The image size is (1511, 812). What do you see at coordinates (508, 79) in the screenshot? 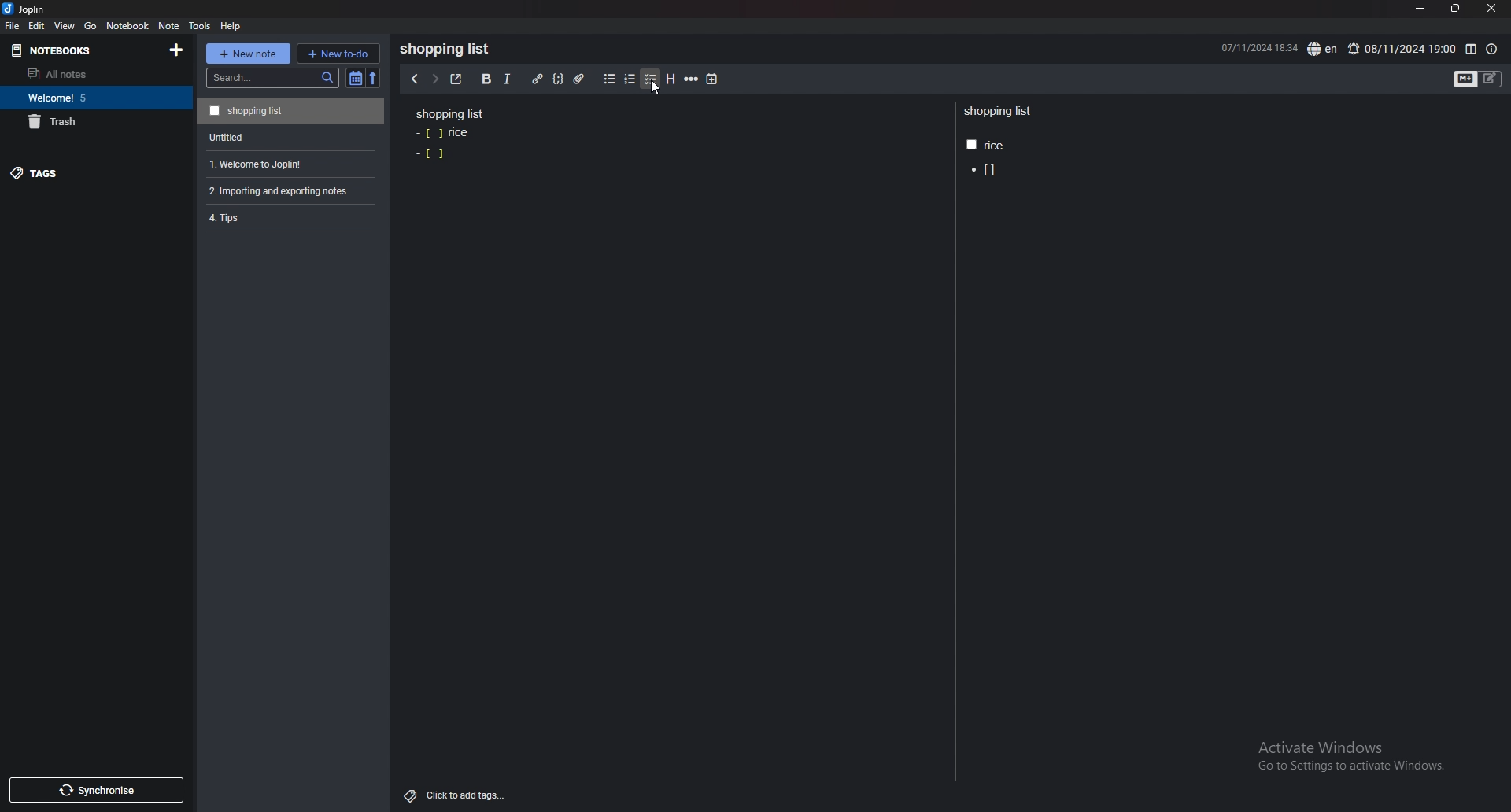
I see `italic` at bounding box center [508, 79].